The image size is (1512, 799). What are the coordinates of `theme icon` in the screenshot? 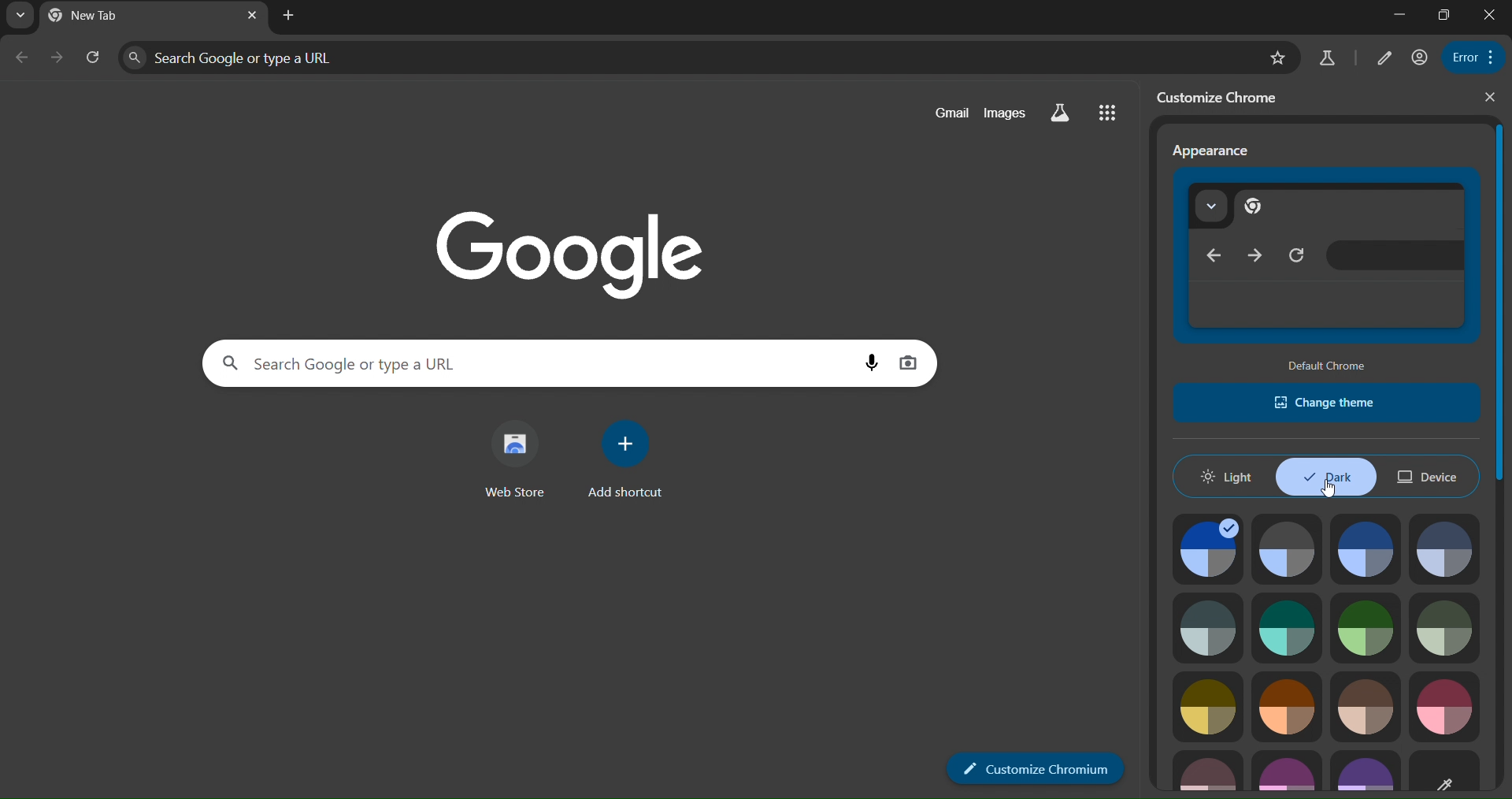 It's located at (1365, 704).